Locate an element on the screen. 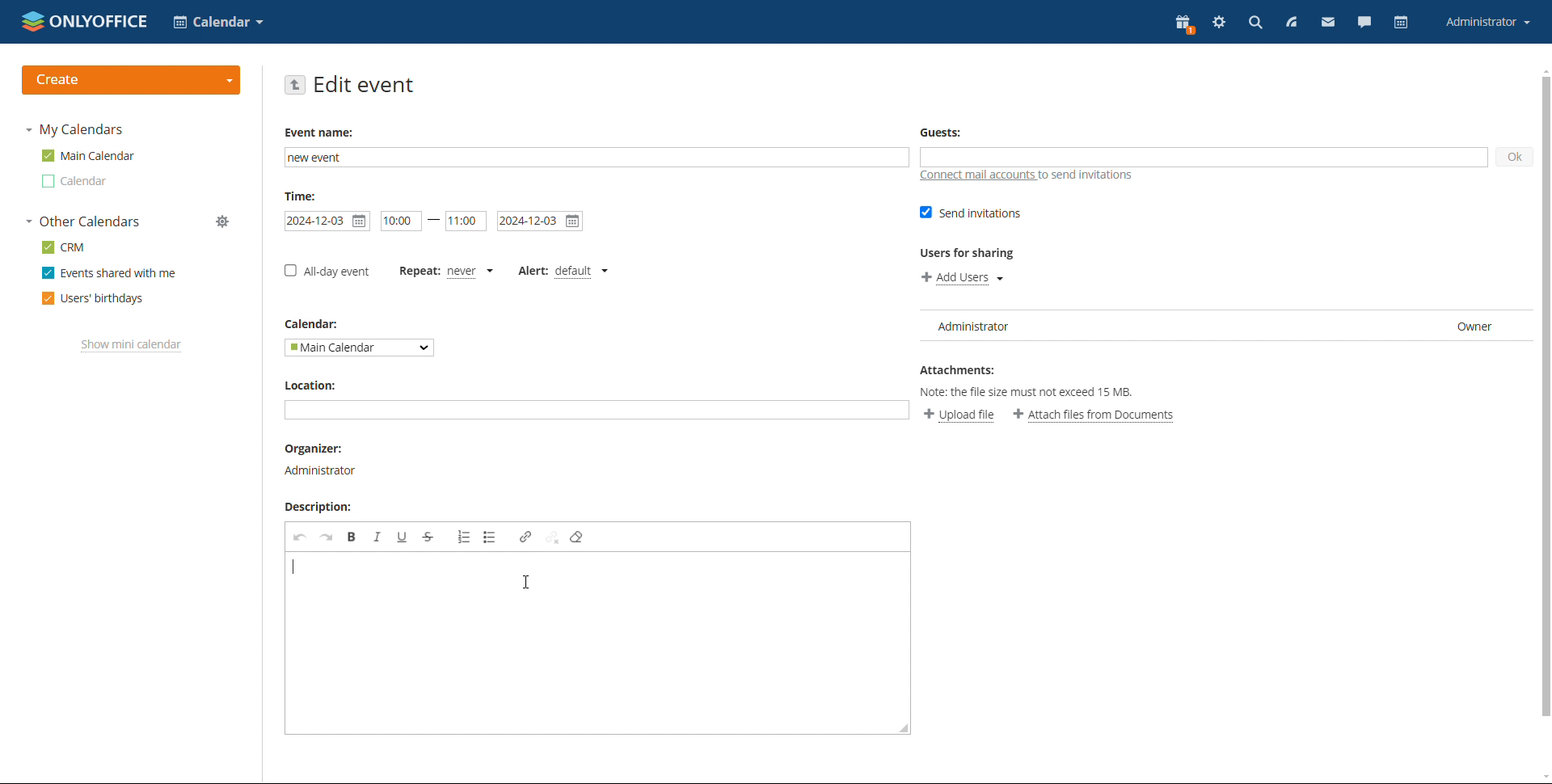  resize is located at coordinates (903, 727).